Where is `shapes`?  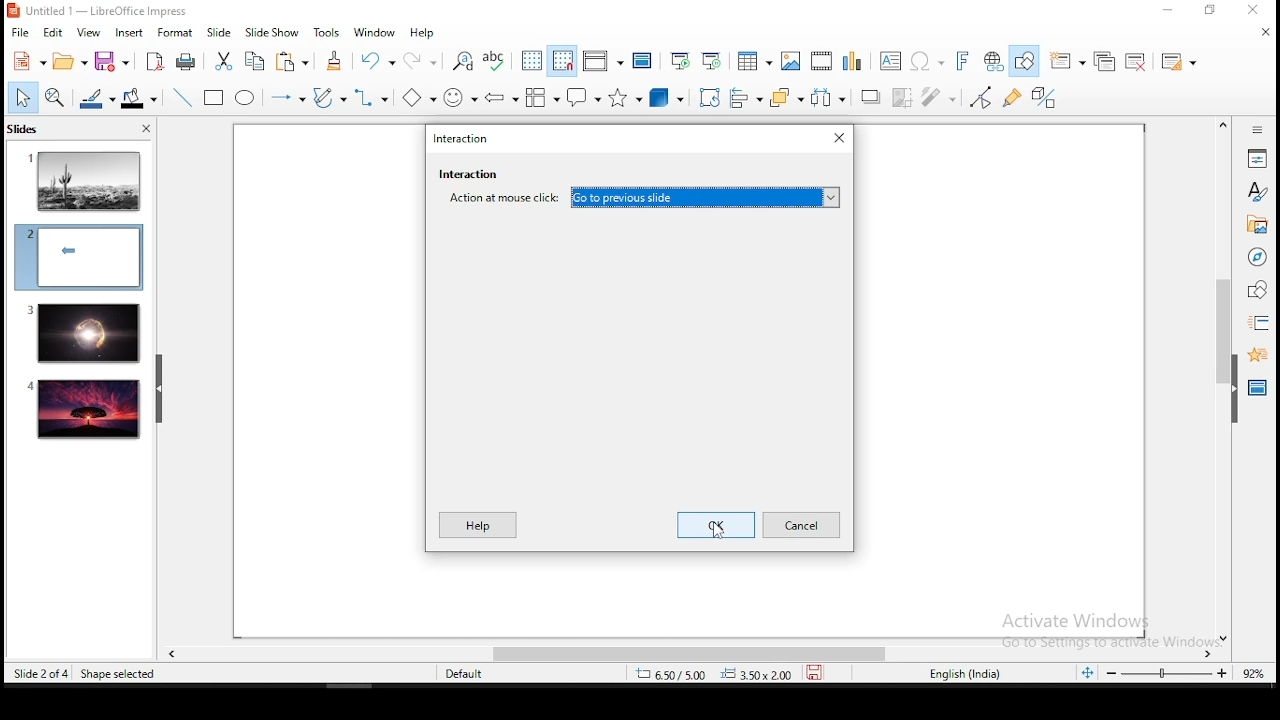
shapes is located at coordinates (1255, 290).